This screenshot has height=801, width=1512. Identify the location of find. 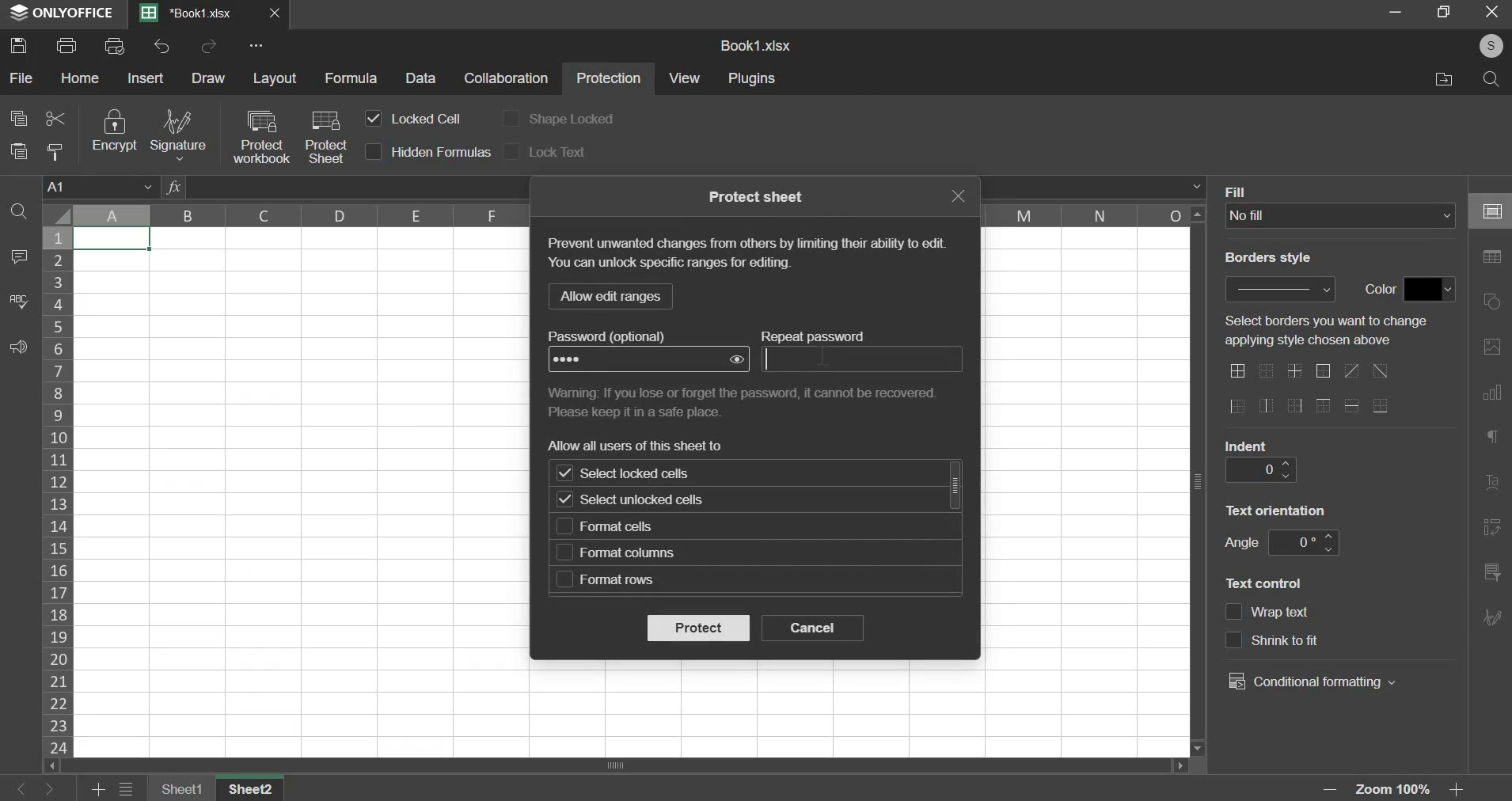
(20, 211).